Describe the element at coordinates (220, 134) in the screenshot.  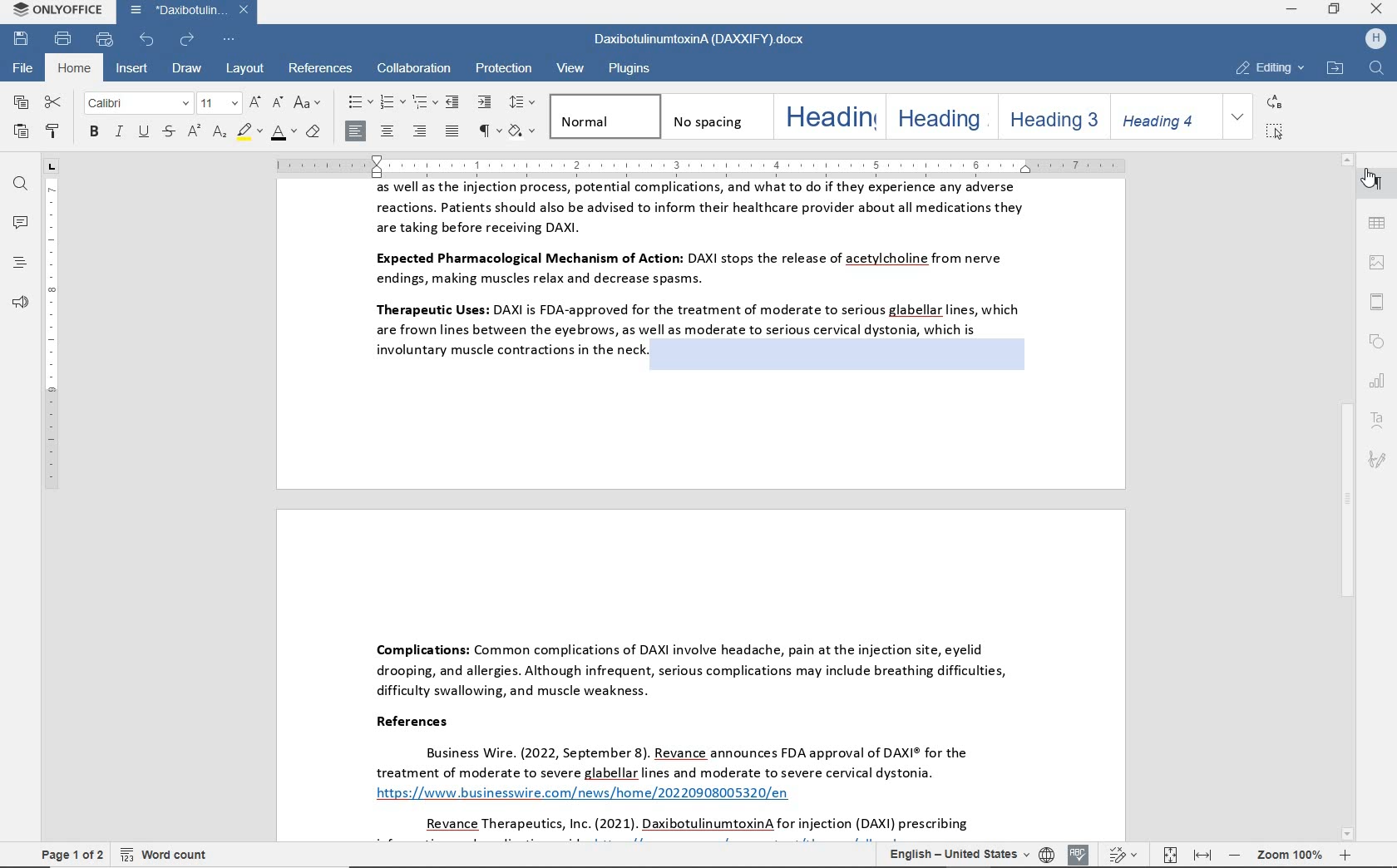
I see `subscript` at that location.